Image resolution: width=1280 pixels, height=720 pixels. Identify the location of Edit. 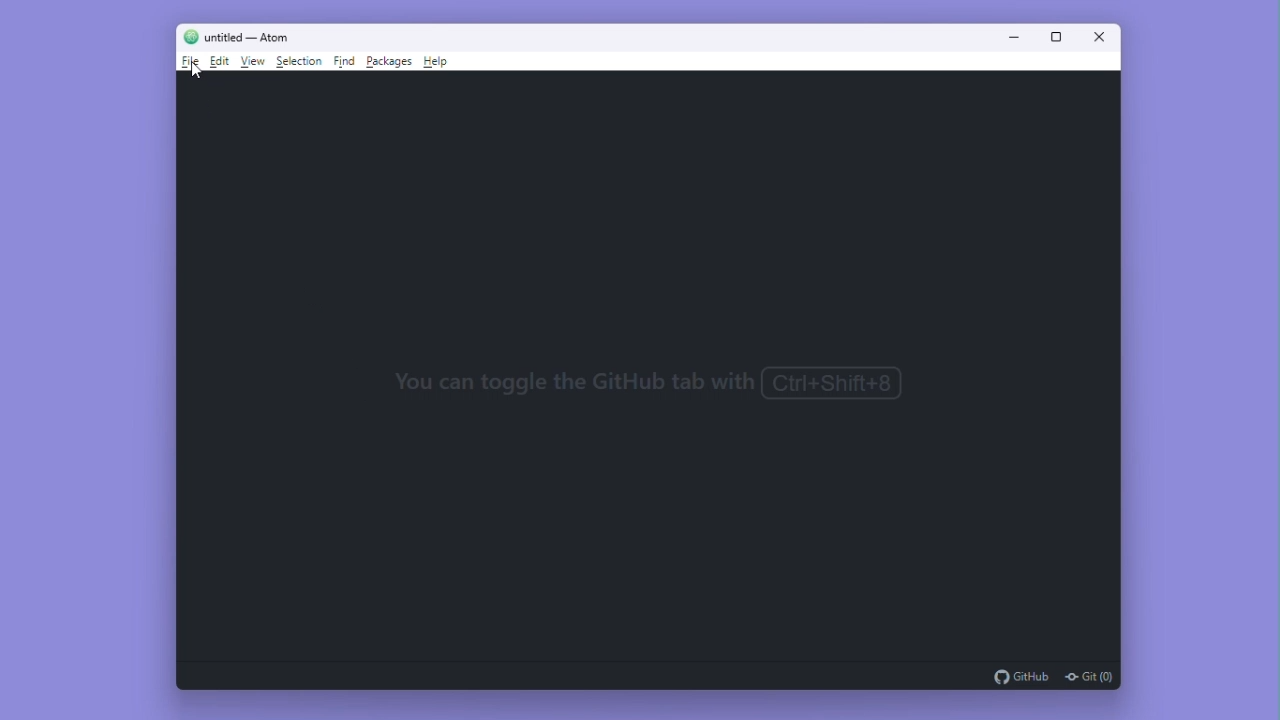
(221, 62).